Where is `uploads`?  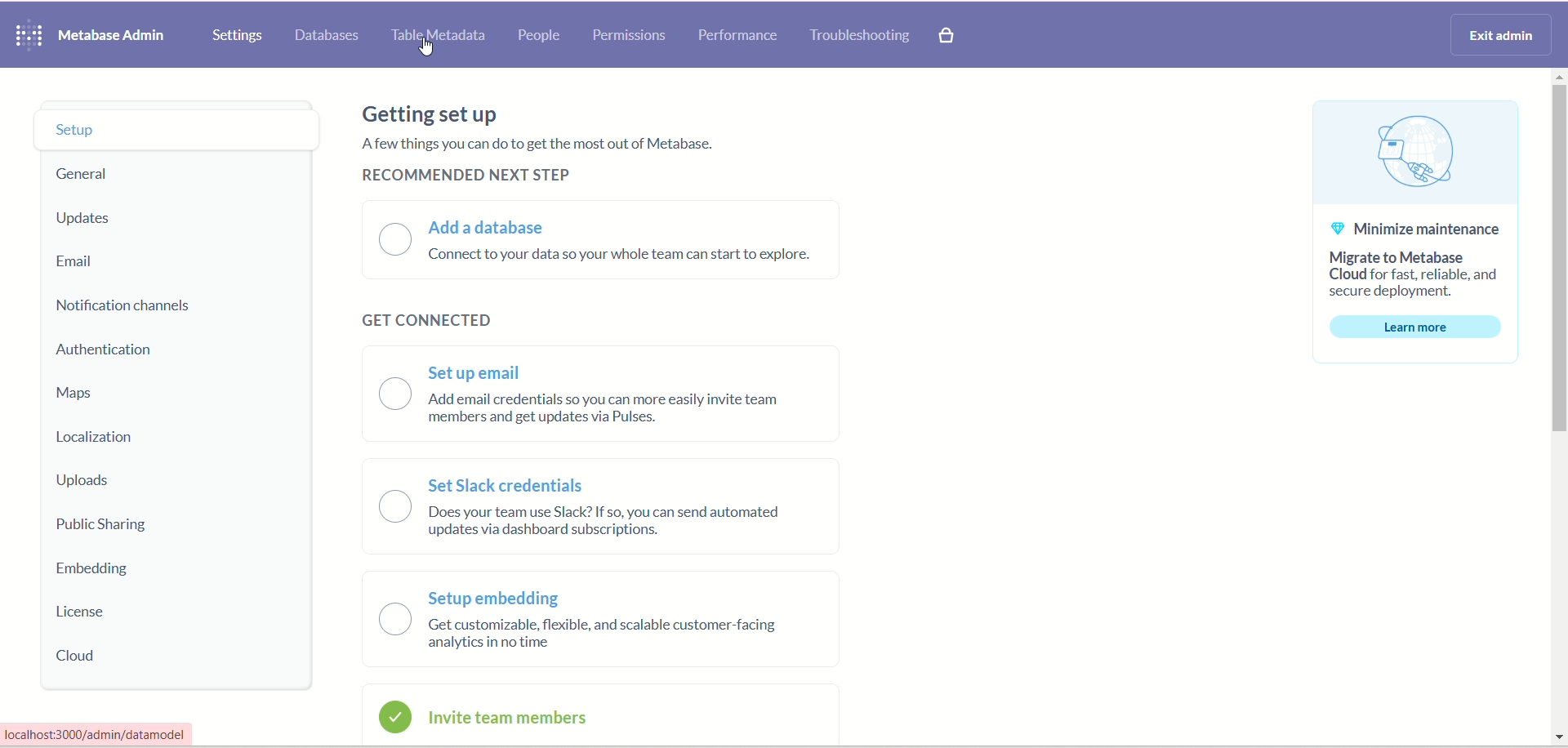 uploads is located at coordinates (86, 483).